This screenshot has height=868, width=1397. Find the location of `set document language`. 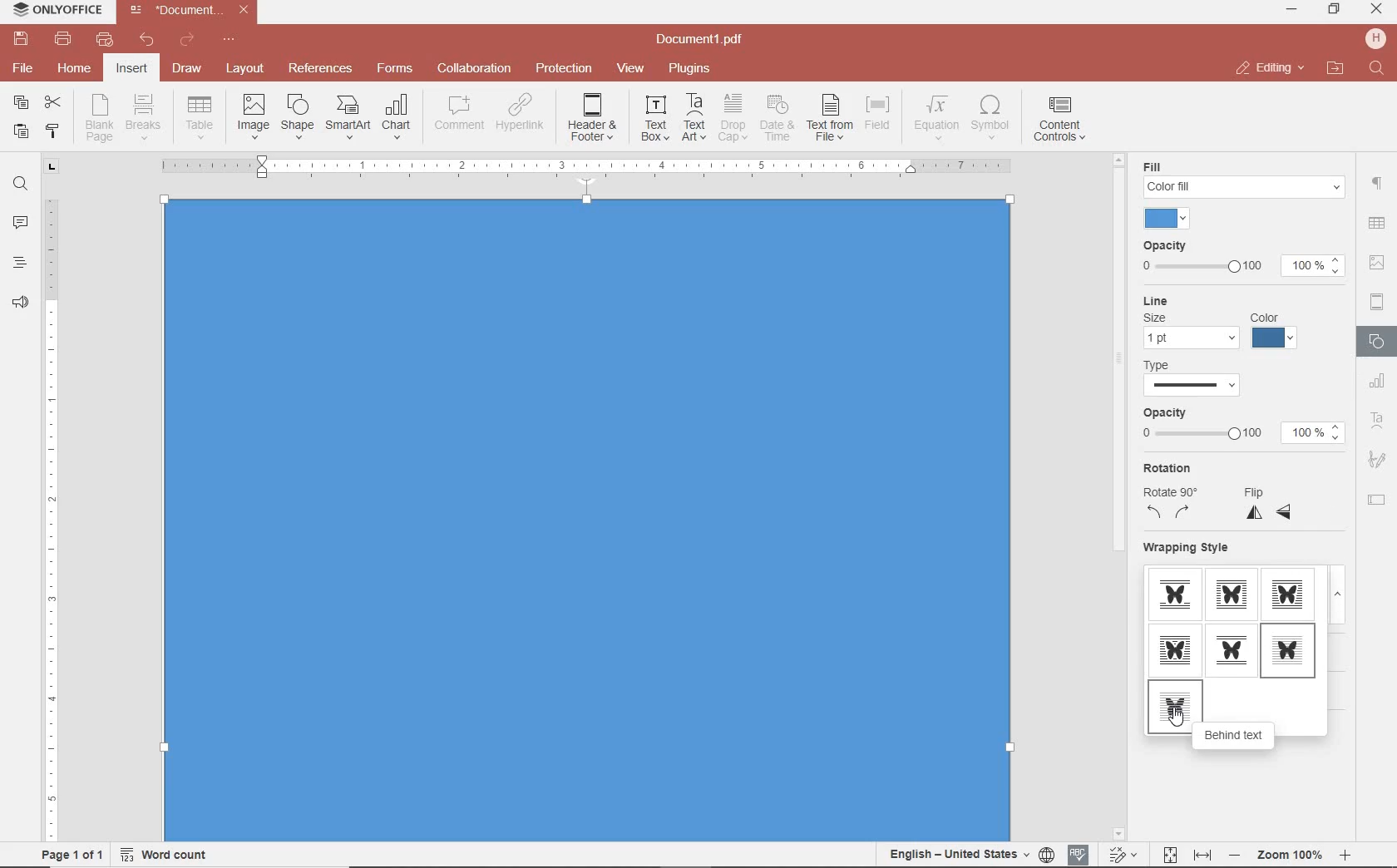

set document language is located at coordinates (970, 854).